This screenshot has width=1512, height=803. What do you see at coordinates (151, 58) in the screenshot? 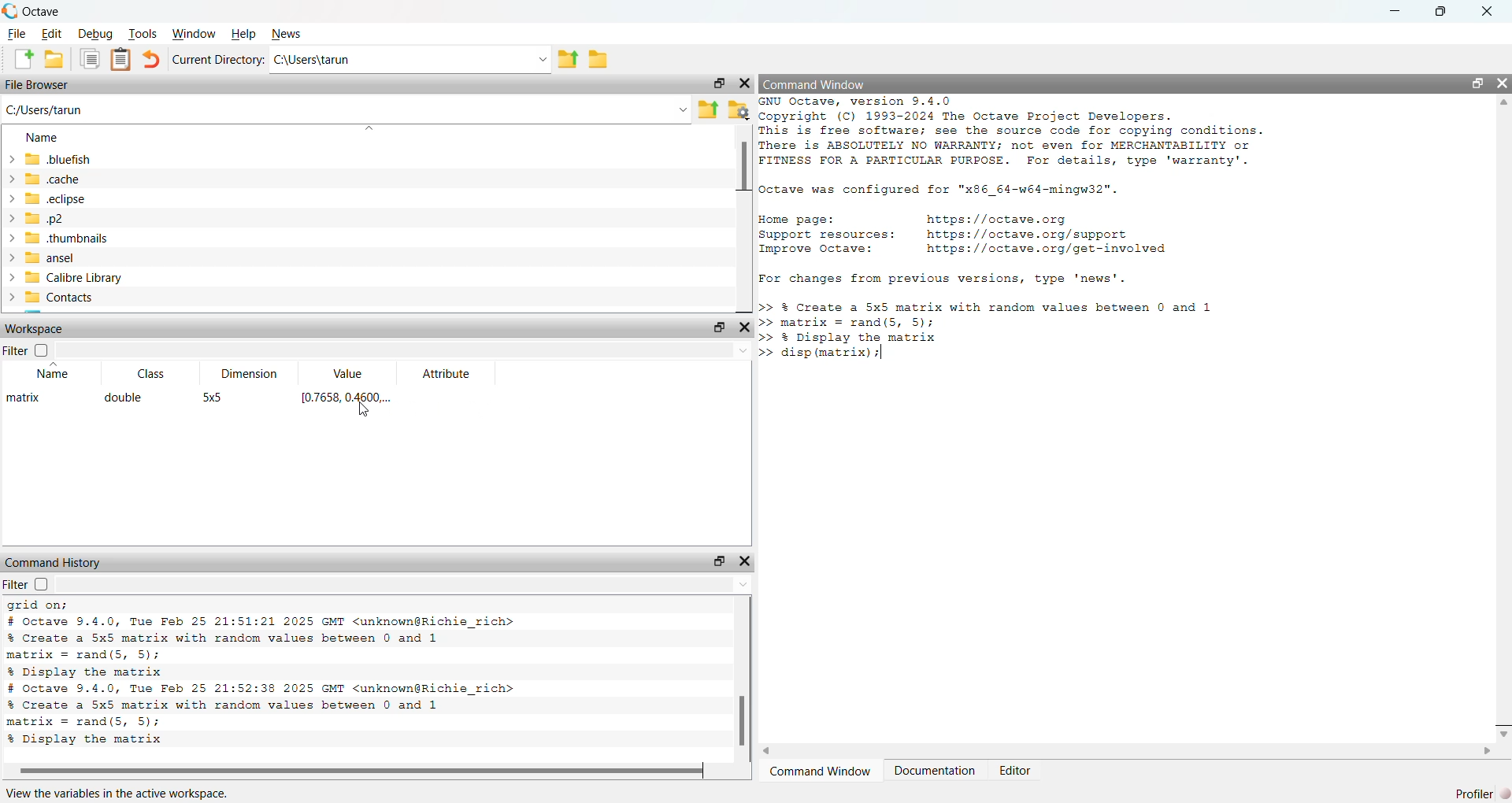
I see `undo` at bounding box center [151, 58].